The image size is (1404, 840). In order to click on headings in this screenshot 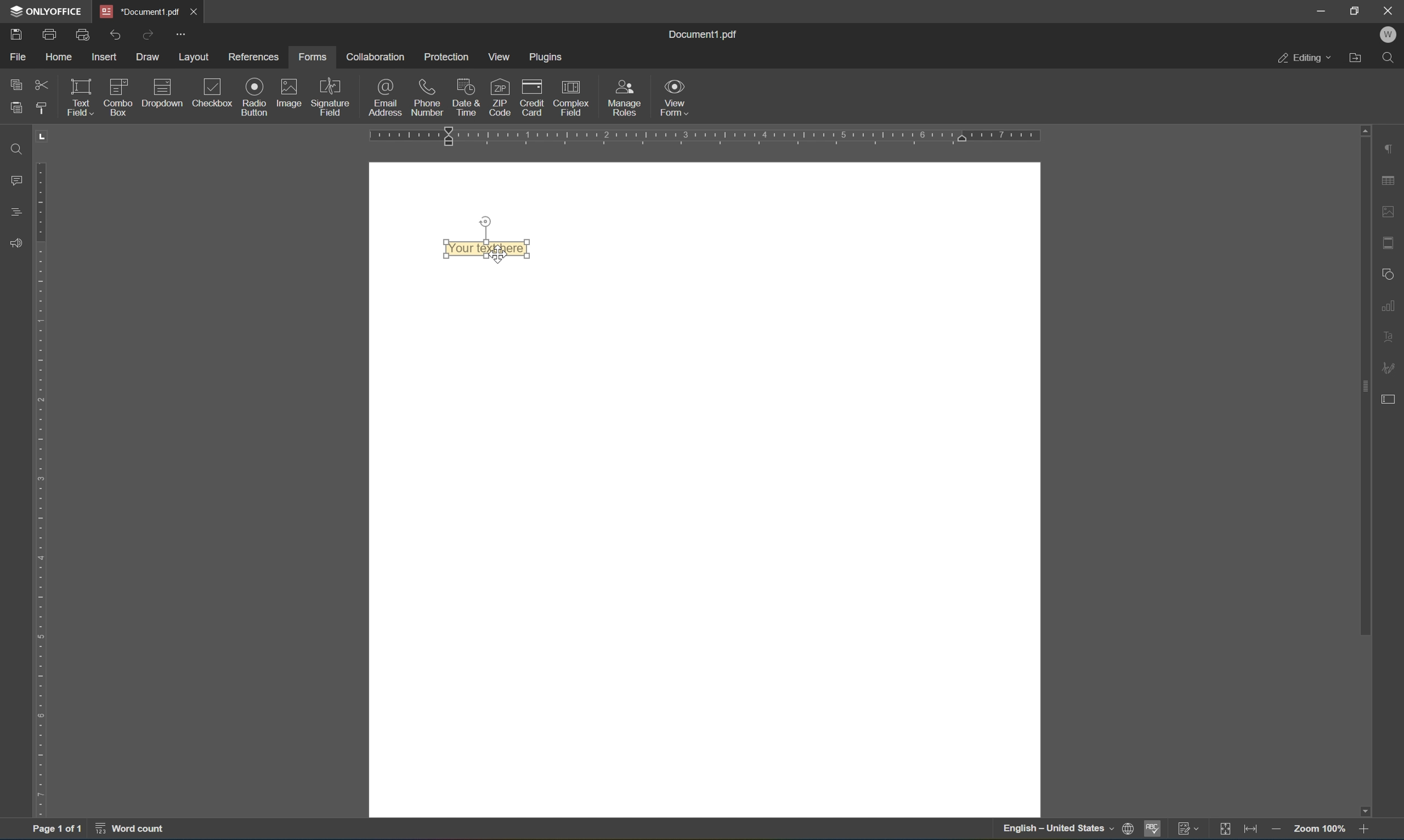, I will do `click(11, 211)`.